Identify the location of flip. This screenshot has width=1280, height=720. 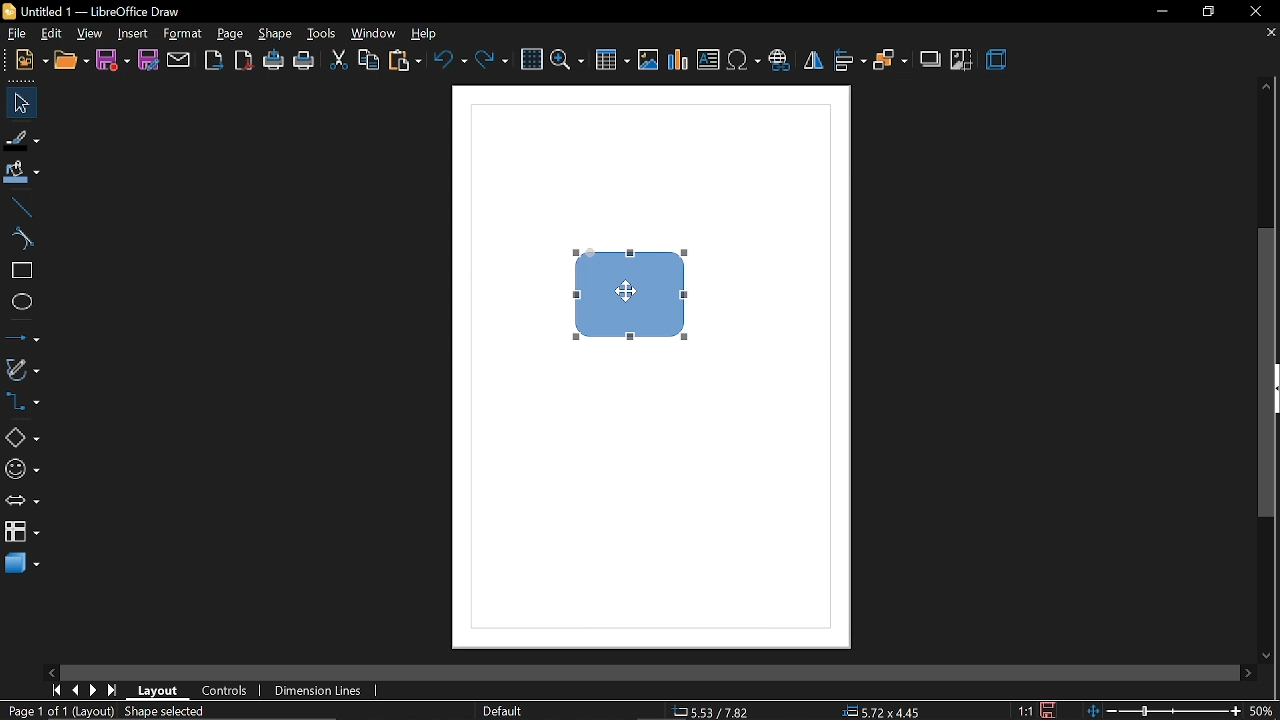
(813, 60).